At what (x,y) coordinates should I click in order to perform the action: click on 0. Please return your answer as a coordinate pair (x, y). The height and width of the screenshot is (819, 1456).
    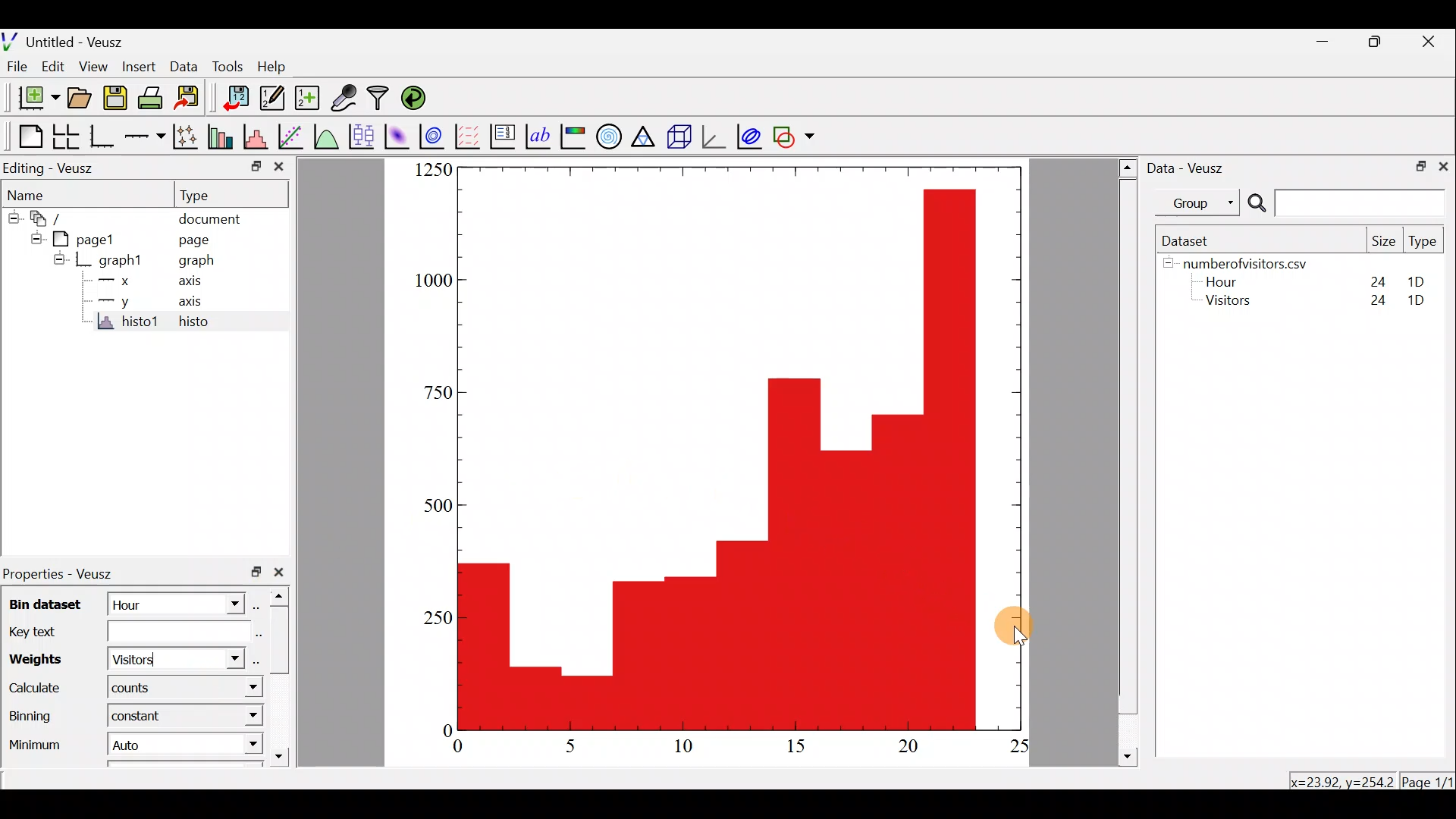
    Looking at the image, I should click on (467, 747).